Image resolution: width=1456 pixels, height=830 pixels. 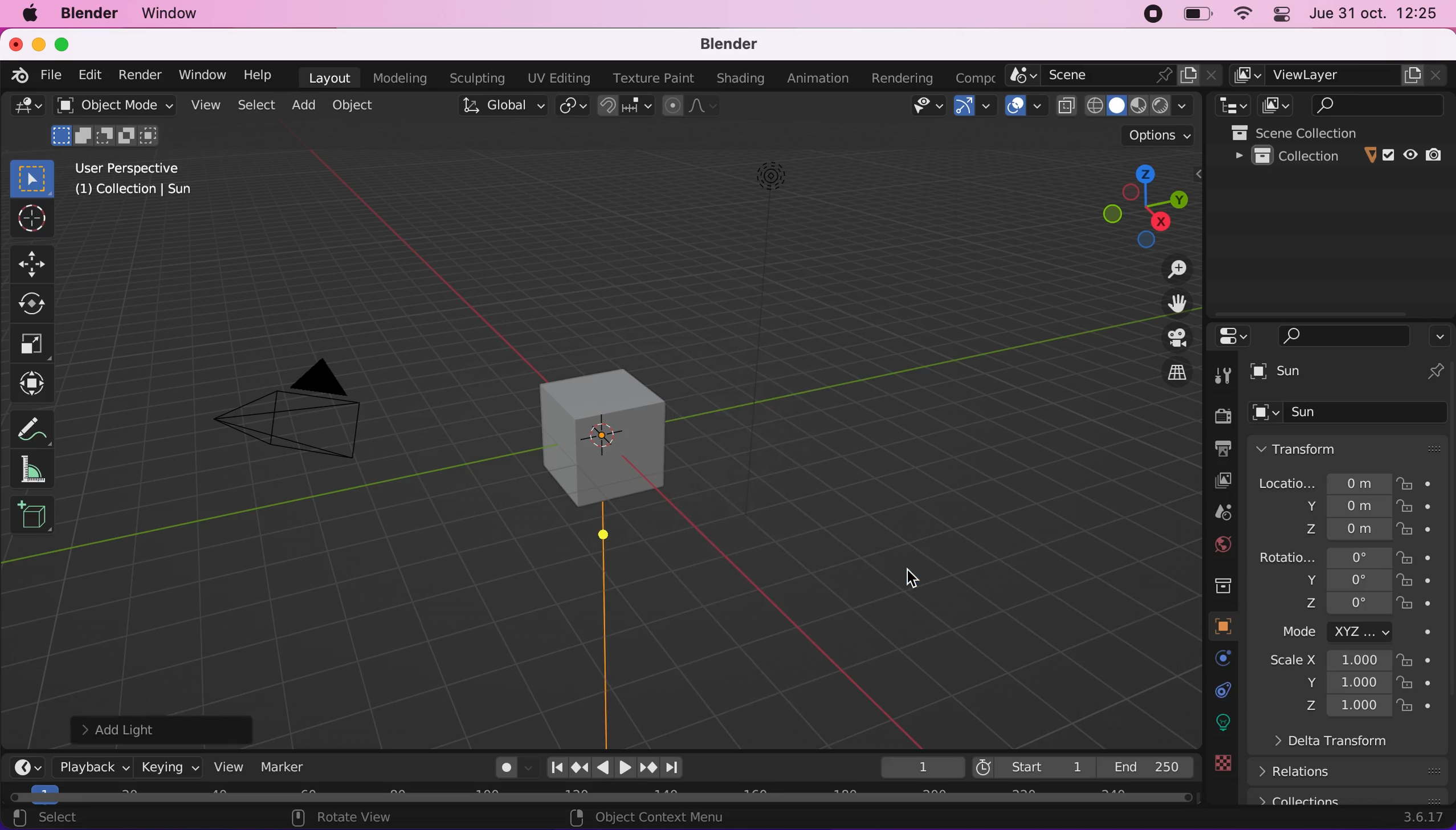 What do you see at coordinates (55, 75) in the screenshot?
I see `file` at bounding box center [55, 75].